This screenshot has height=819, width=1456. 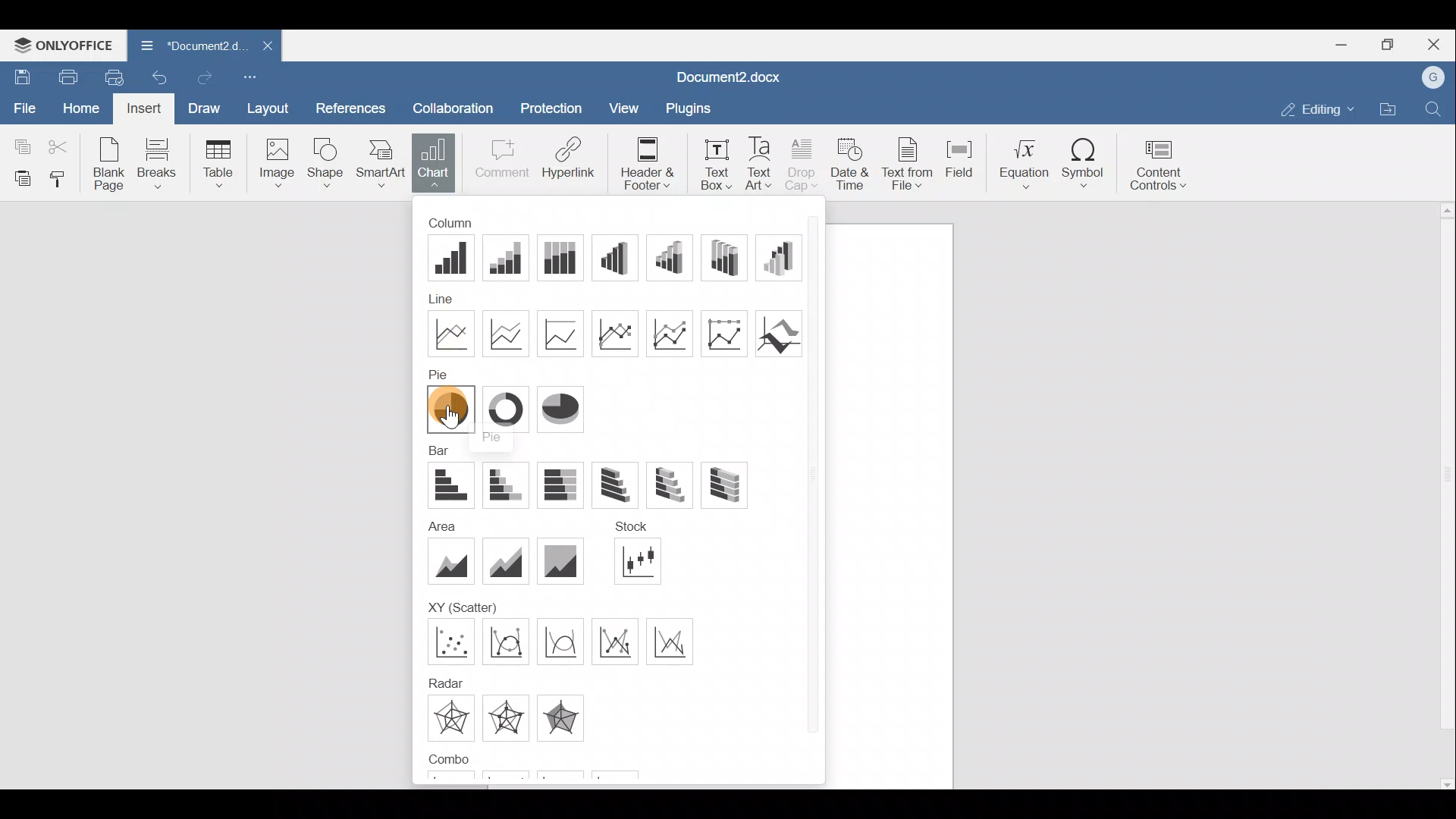 What do you see at coordinates (723, 255) in the screenshot?
I see `3-D 100% stacked column` at bounding box center [723, 255].